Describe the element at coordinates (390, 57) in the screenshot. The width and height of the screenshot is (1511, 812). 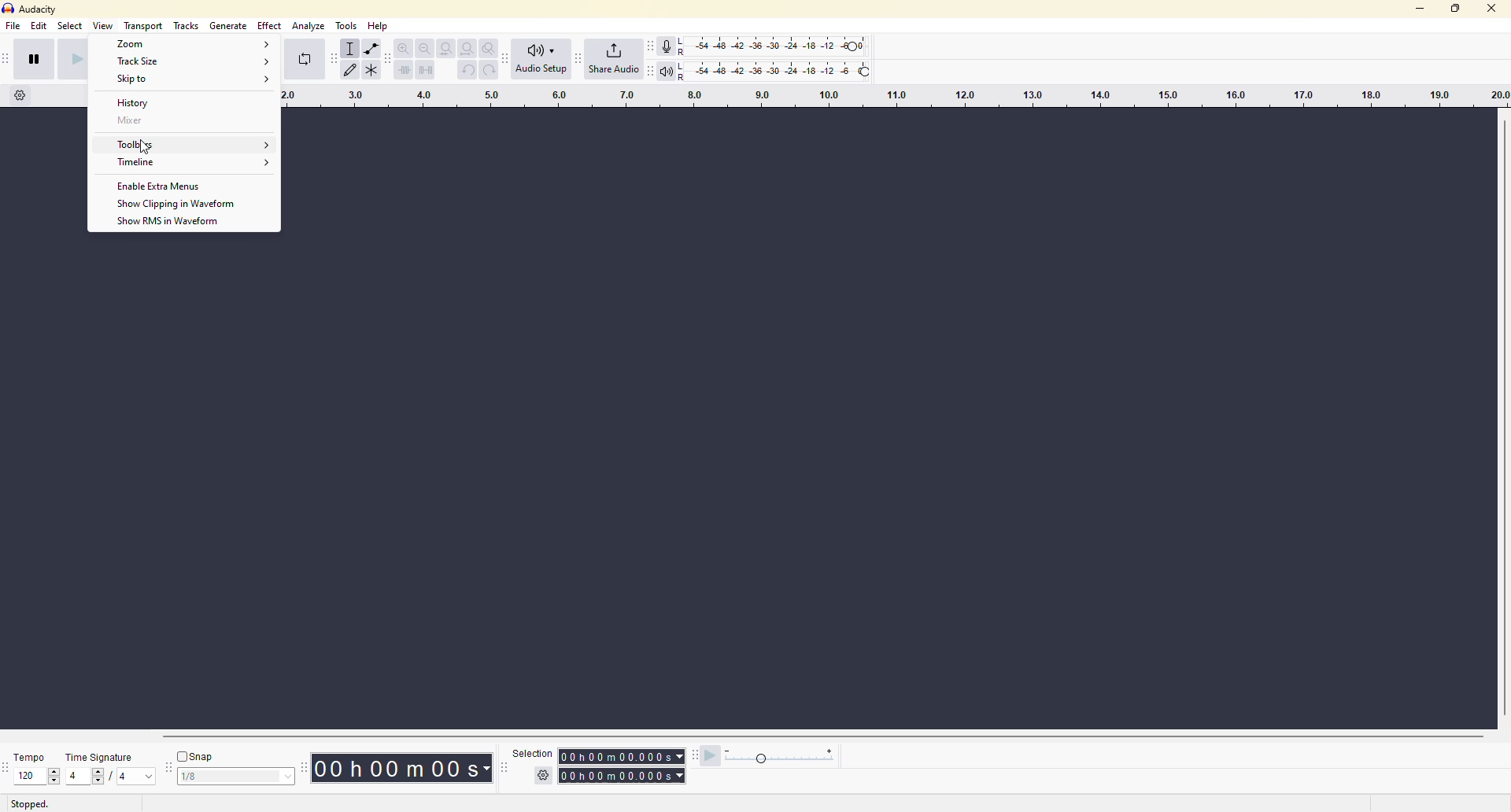
I see `audacity edit toolbar` at that location.